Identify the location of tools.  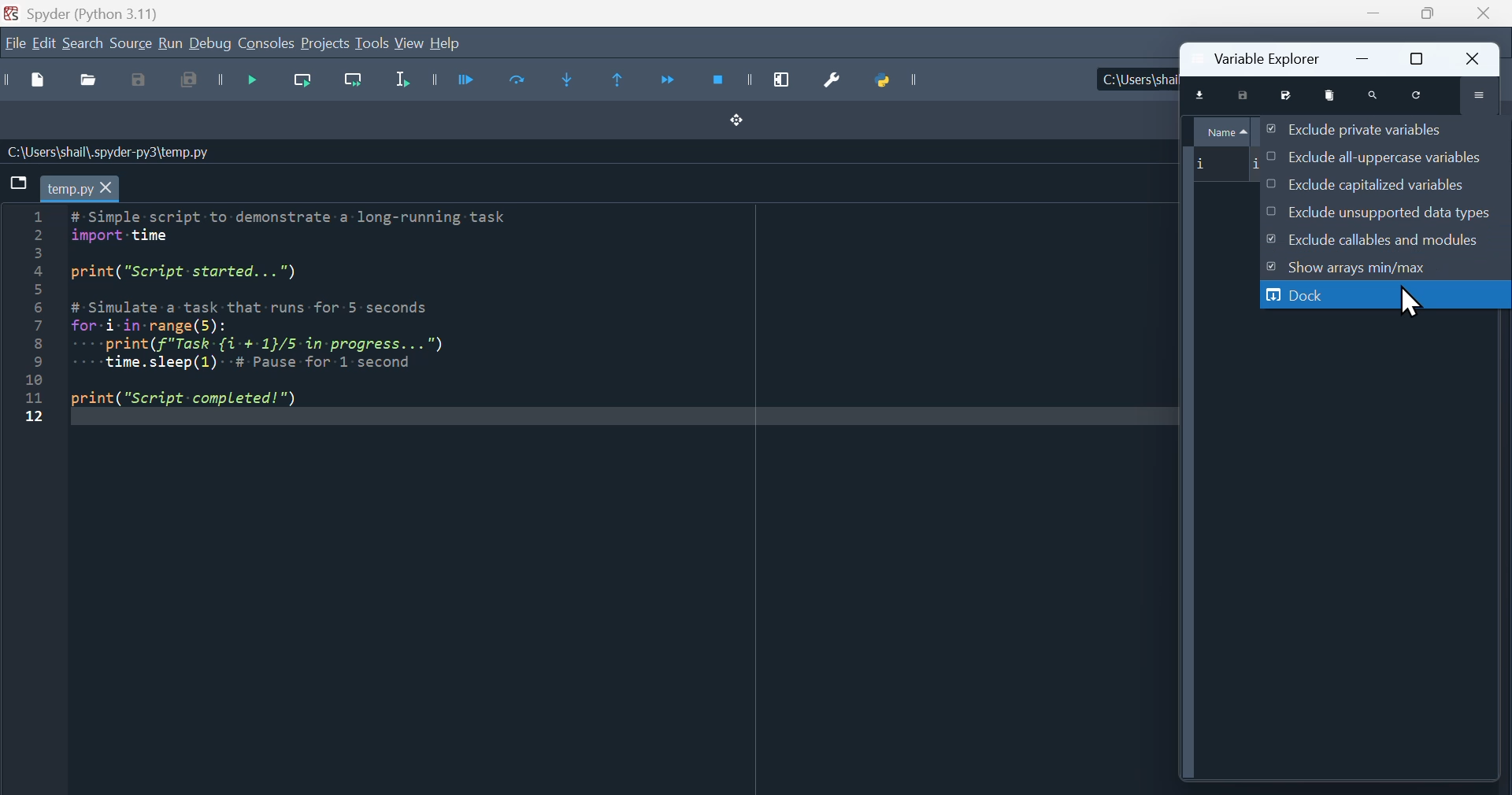
(372, 43).